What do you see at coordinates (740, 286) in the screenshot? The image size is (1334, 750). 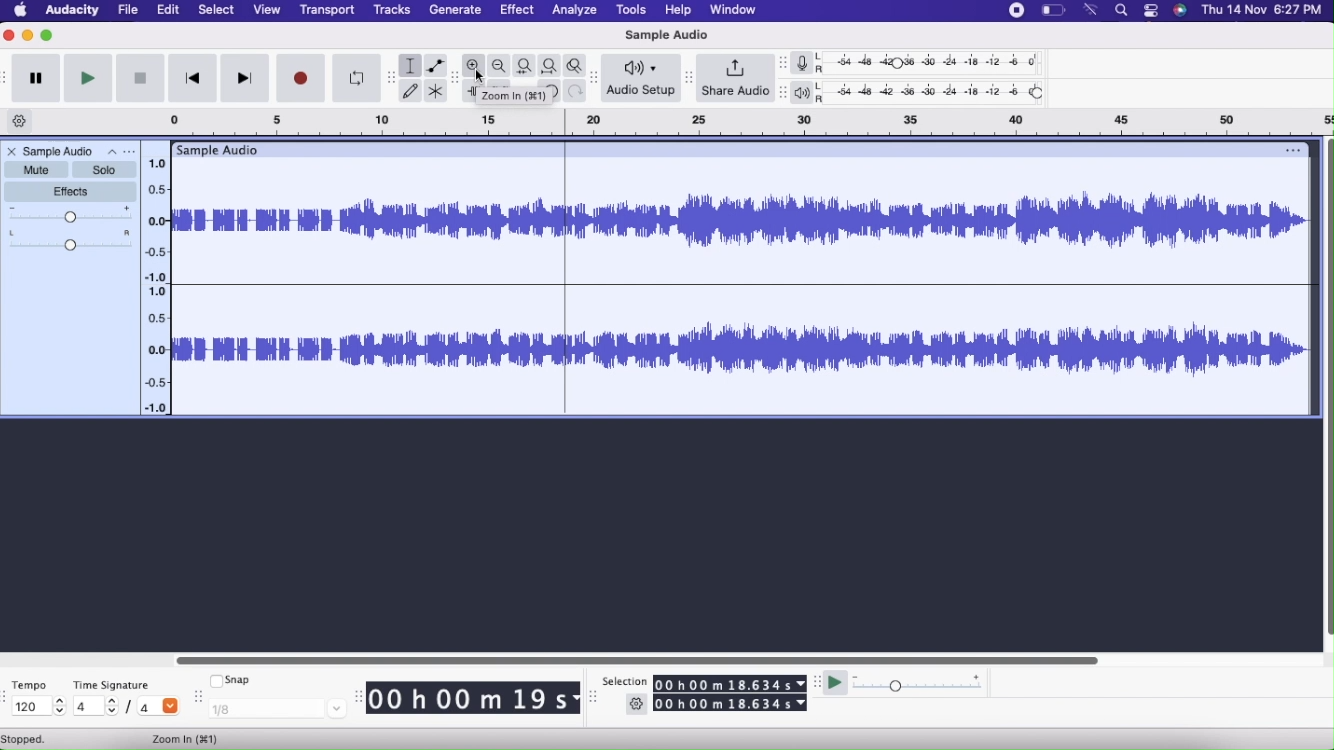 I see `Audio File` at bounding box center [740, 286].